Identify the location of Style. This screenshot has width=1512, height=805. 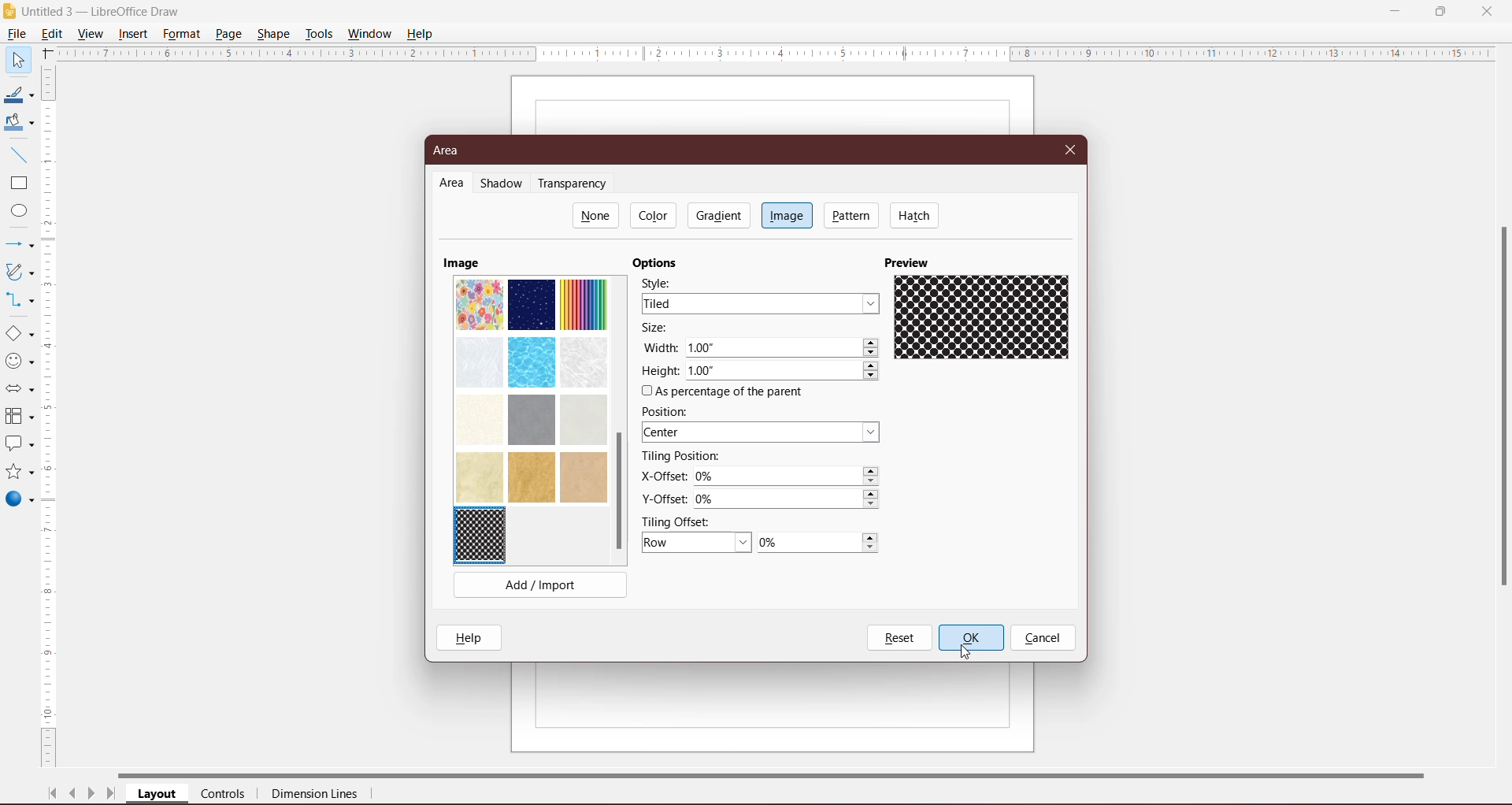
(662, 282).